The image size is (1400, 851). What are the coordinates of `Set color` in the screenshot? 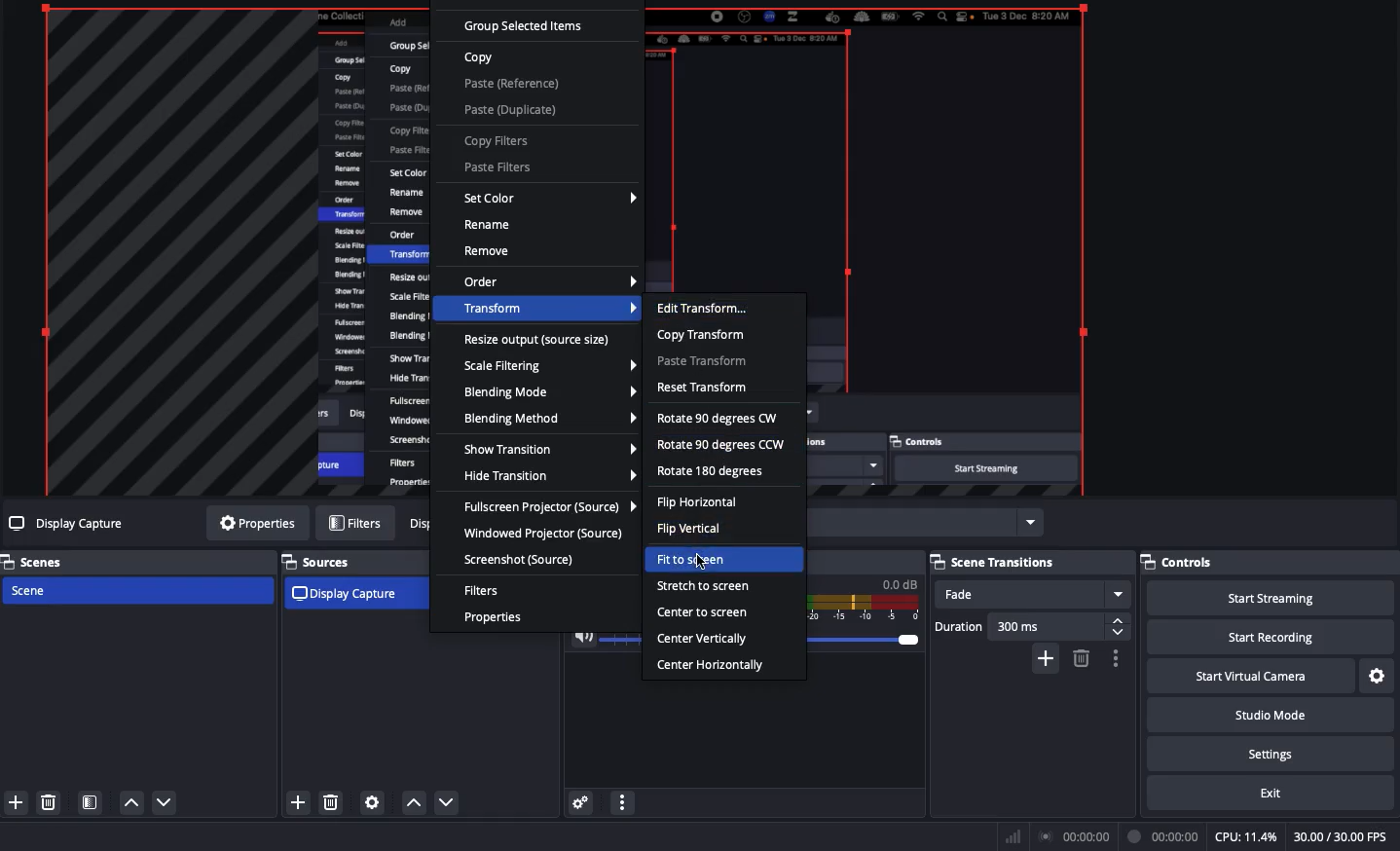 It's located at (548, 200).